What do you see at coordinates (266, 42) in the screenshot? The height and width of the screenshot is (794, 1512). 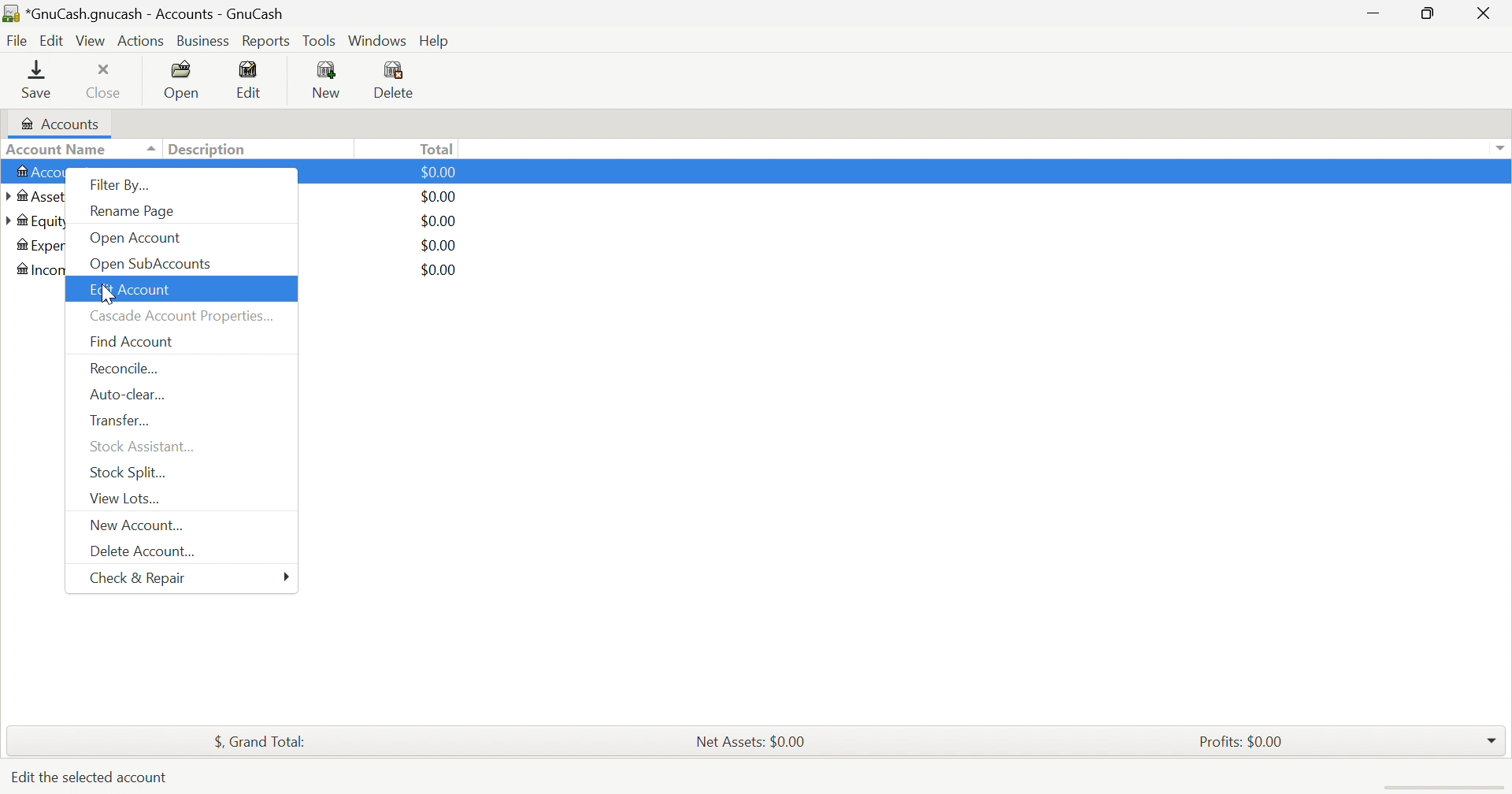 I see `Reports` at bounding box center [266, 42].